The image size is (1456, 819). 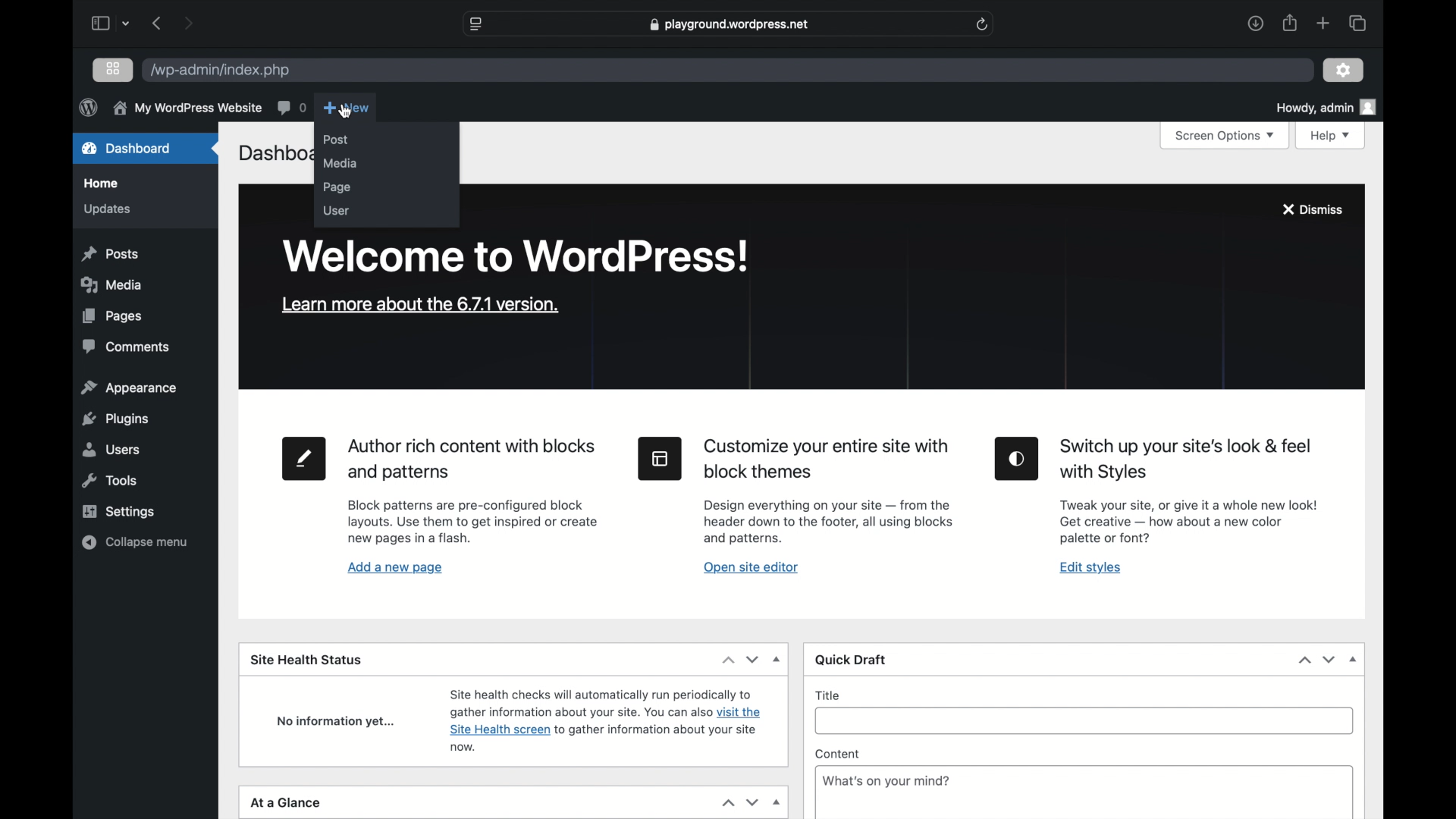 I want to click on site editor, so click(x=659, y=457).